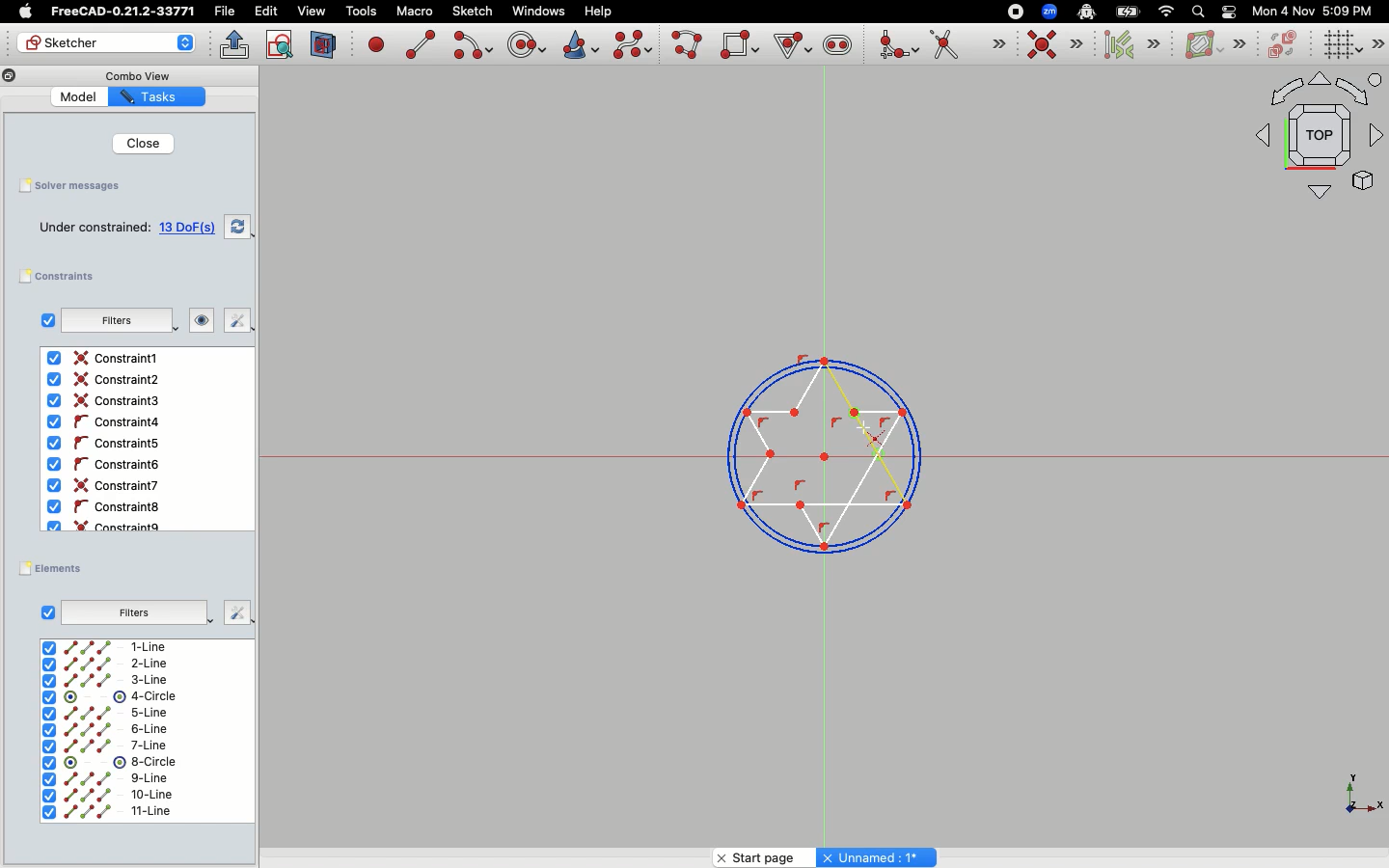 The height and width of the screenshot is (868, 1389). Describe the element at coordinates (281, 45) in the screenshot. I see `View sketch` at that location.